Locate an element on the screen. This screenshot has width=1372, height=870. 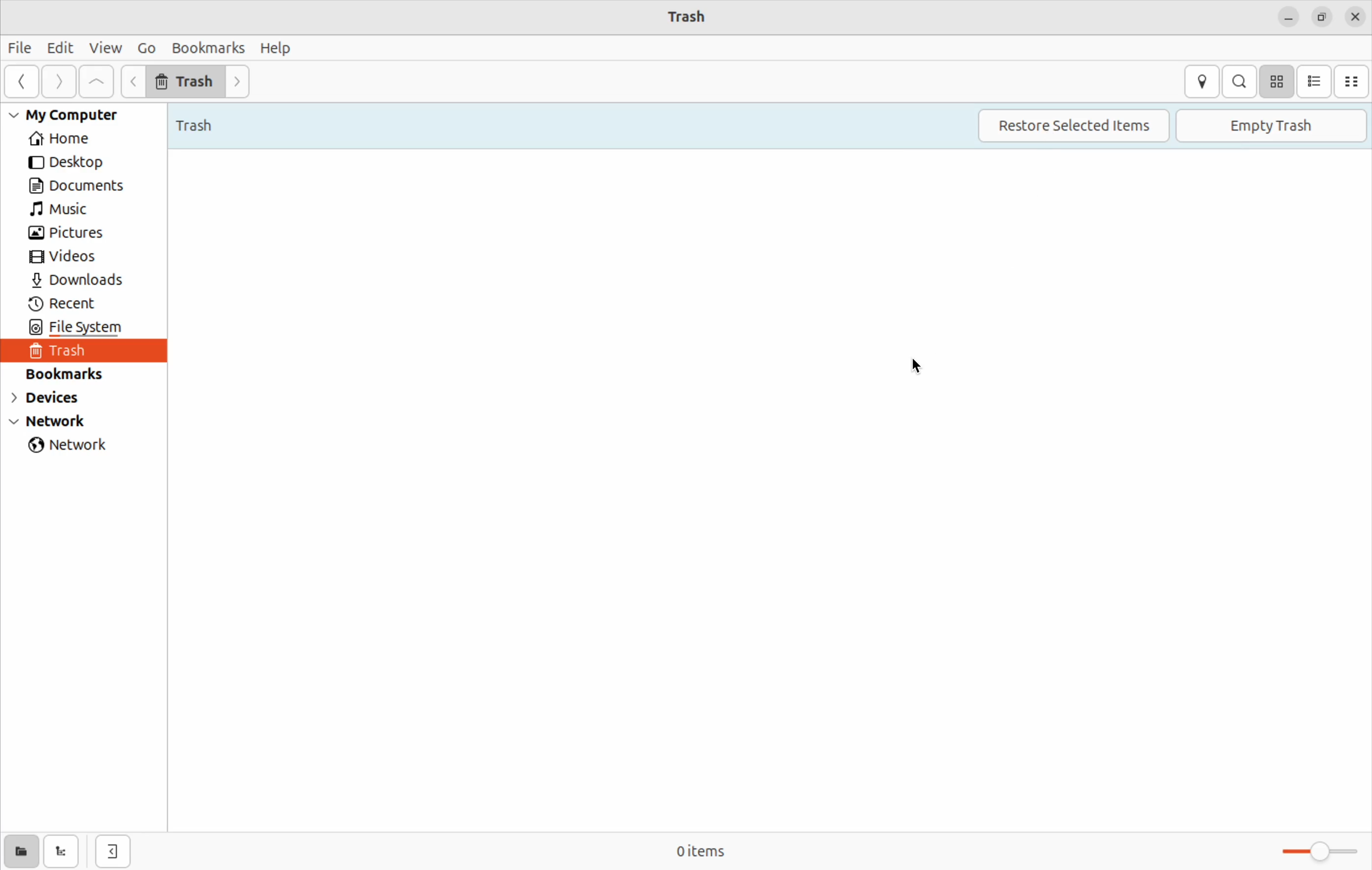
compact view is located at coordinates (1353, 81).